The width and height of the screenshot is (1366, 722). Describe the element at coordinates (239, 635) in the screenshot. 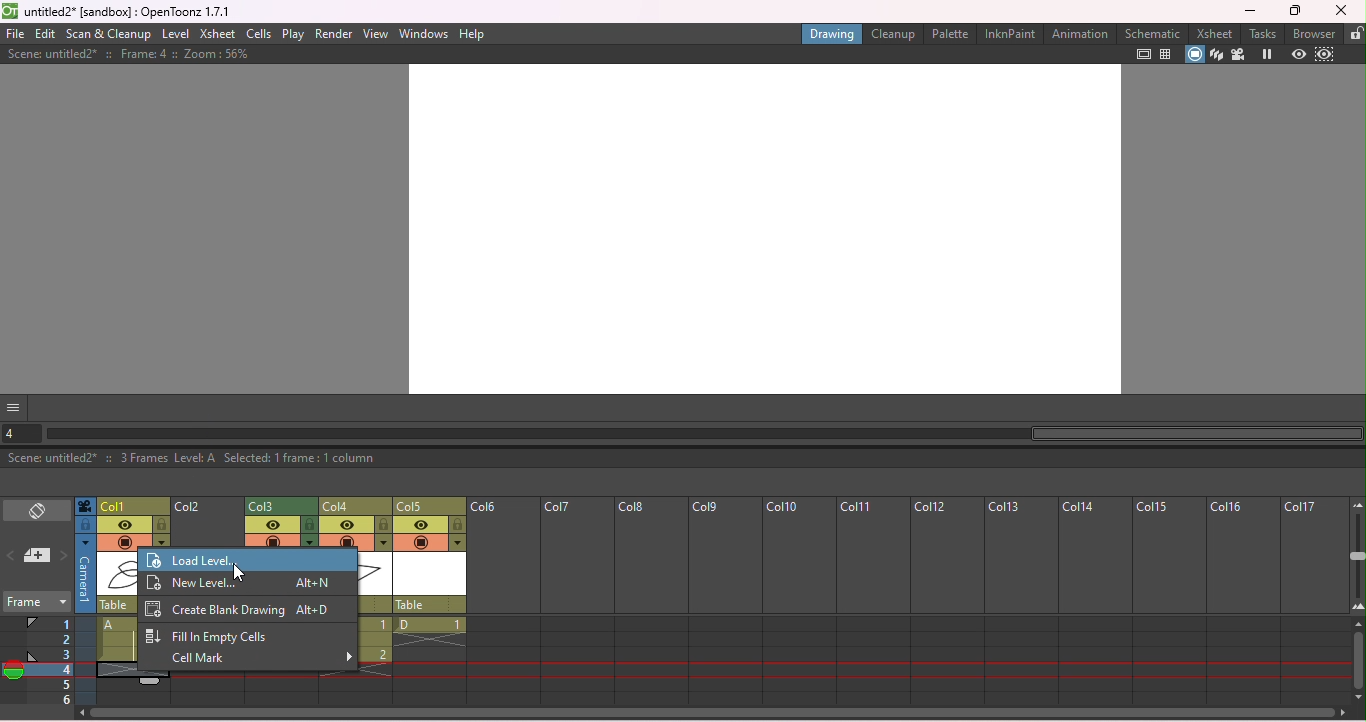

I see `Fill in empty cells` at that location.